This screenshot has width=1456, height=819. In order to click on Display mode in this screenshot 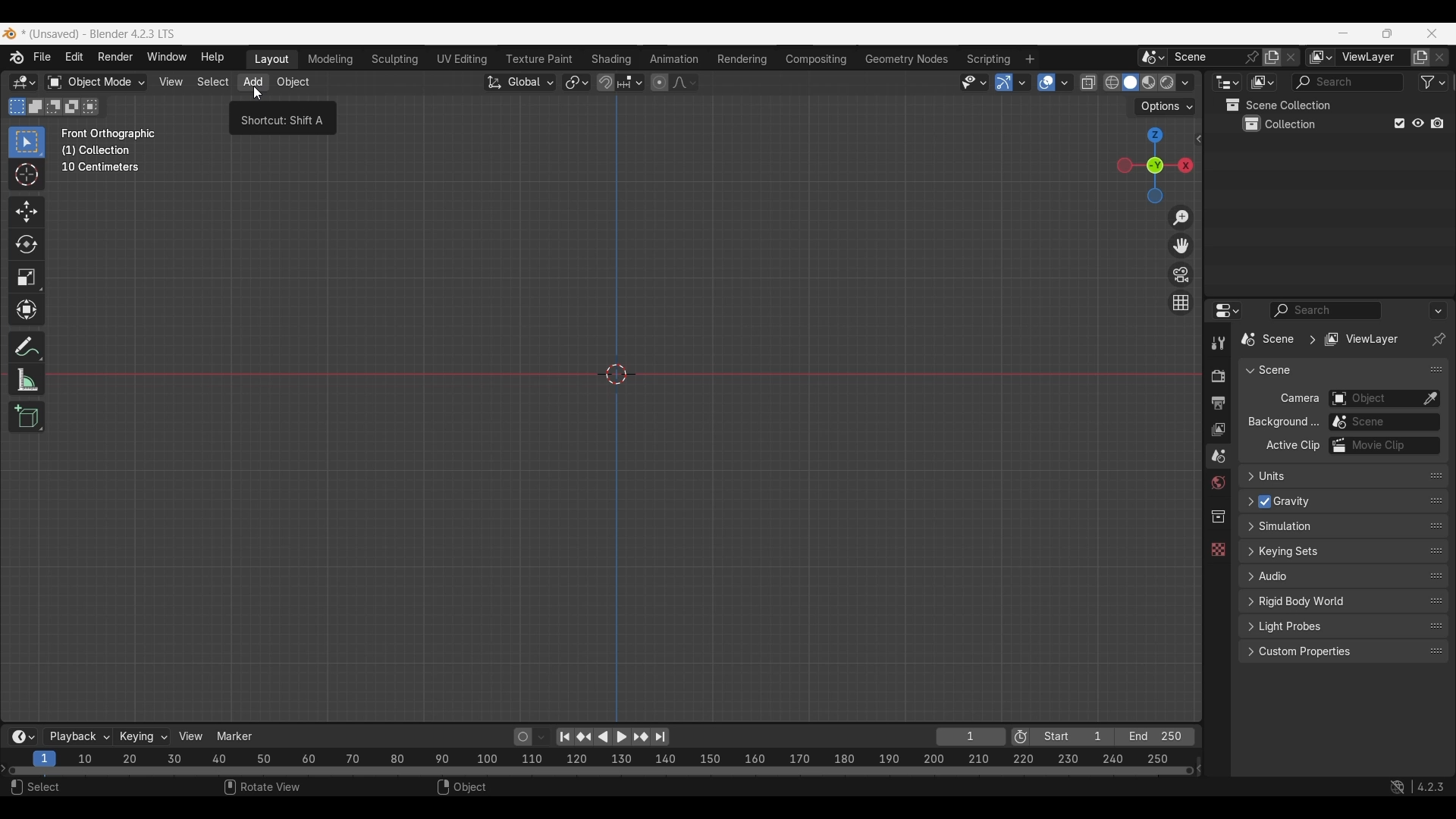, I will do `click(1262, 83)`.